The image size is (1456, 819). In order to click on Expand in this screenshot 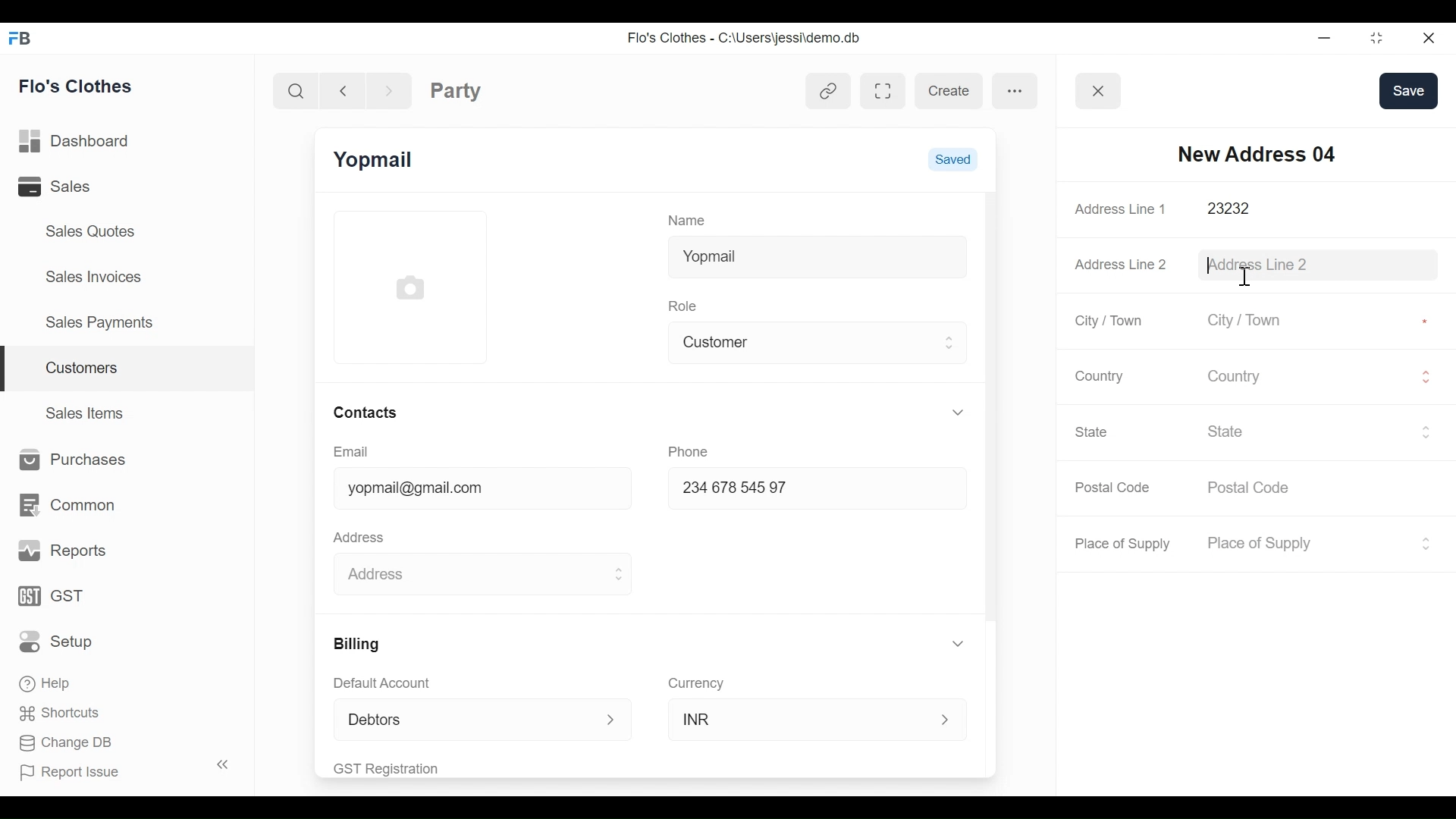, I will do `click(958, 412)`.